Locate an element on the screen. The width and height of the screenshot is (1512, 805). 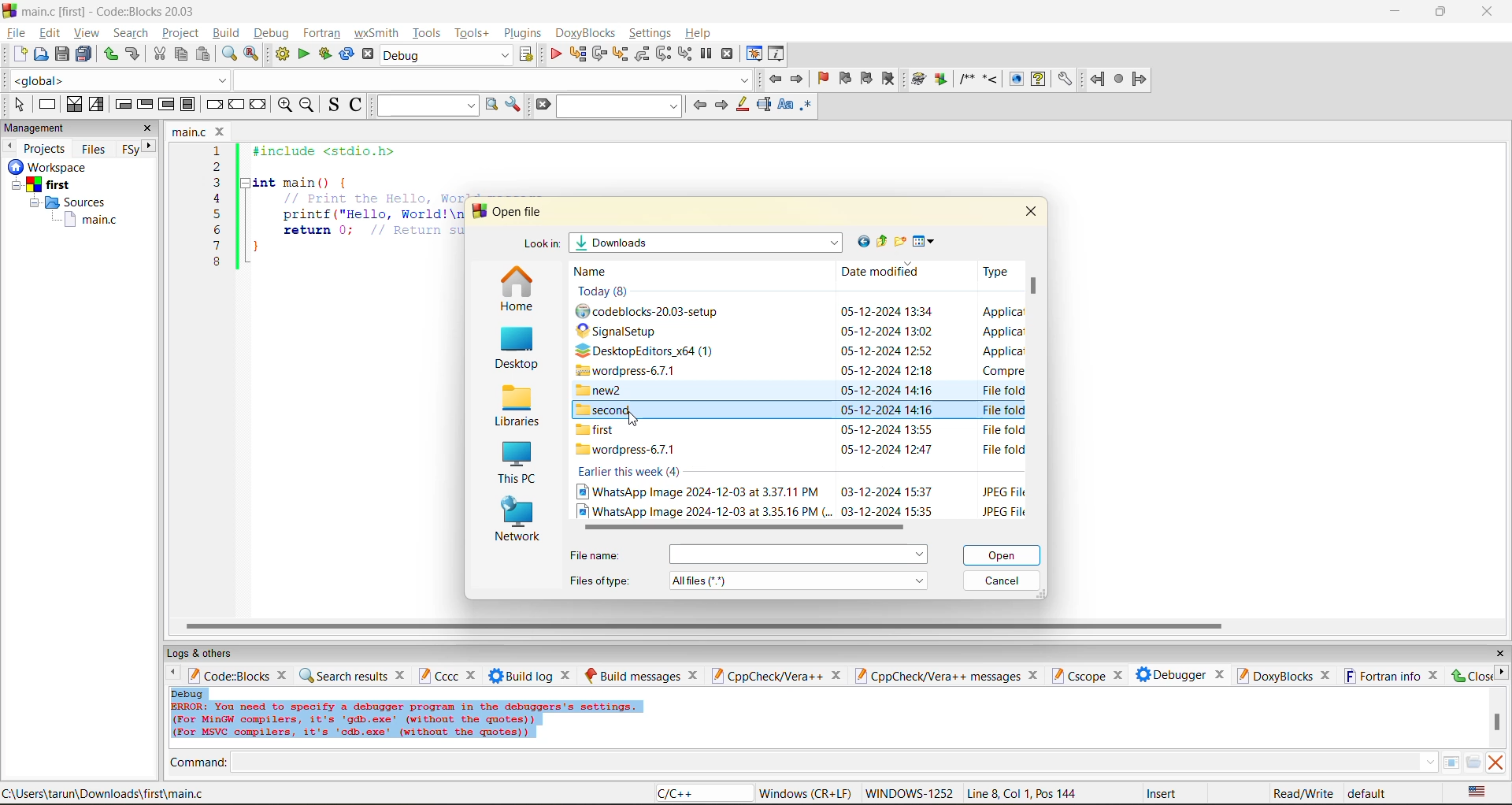
close is located at coordinates (1036, 675).